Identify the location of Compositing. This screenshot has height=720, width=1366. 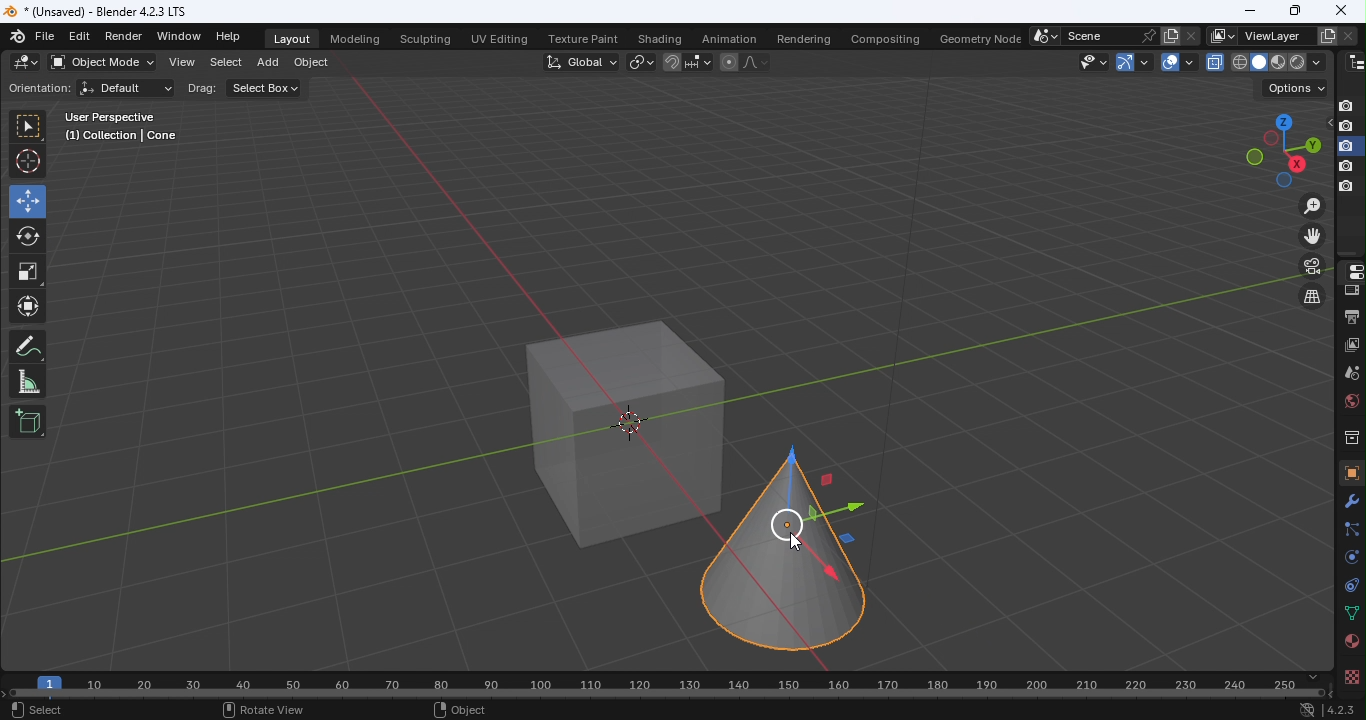
(882, 35).